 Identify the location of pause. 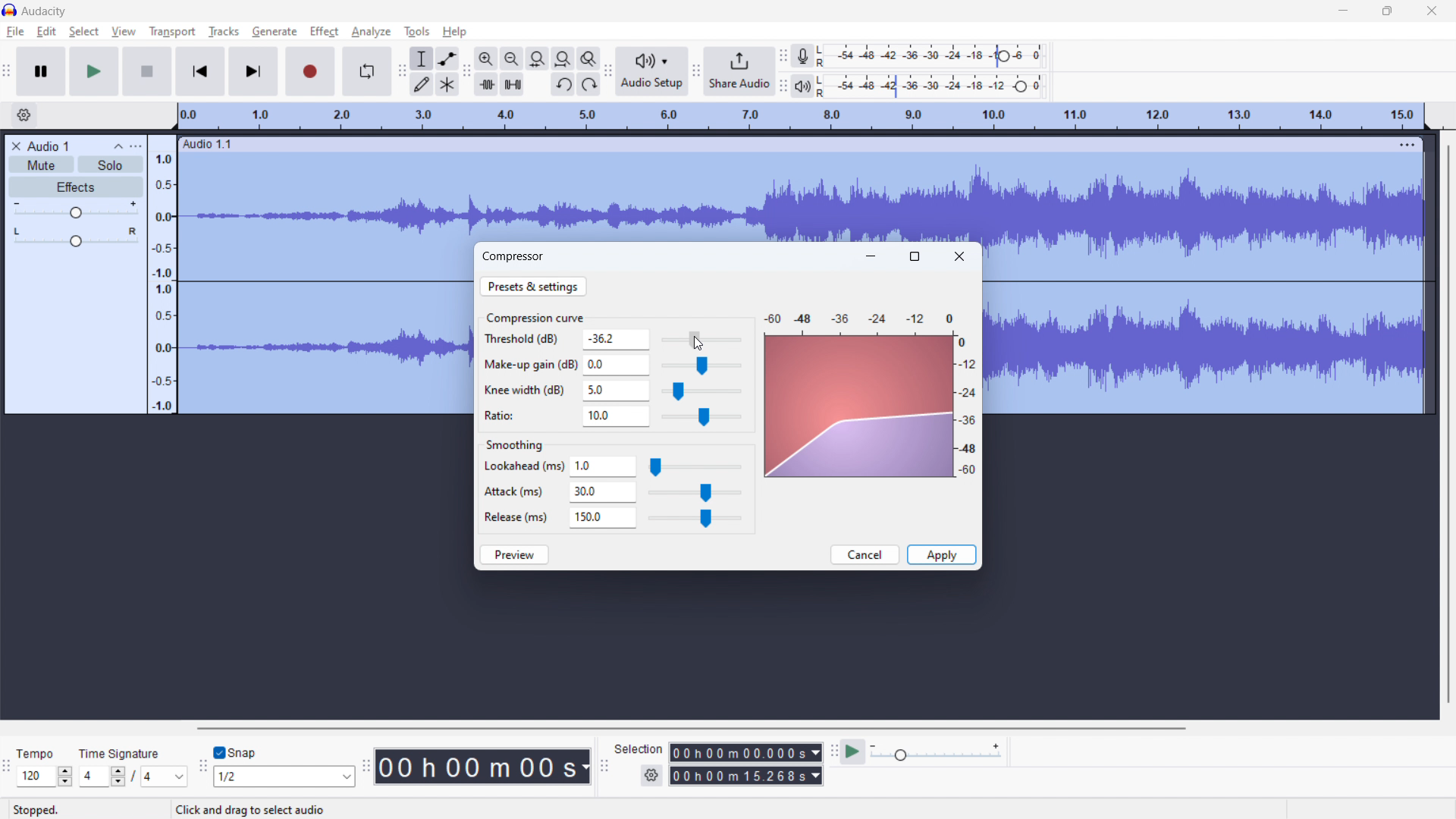
(41, 71).